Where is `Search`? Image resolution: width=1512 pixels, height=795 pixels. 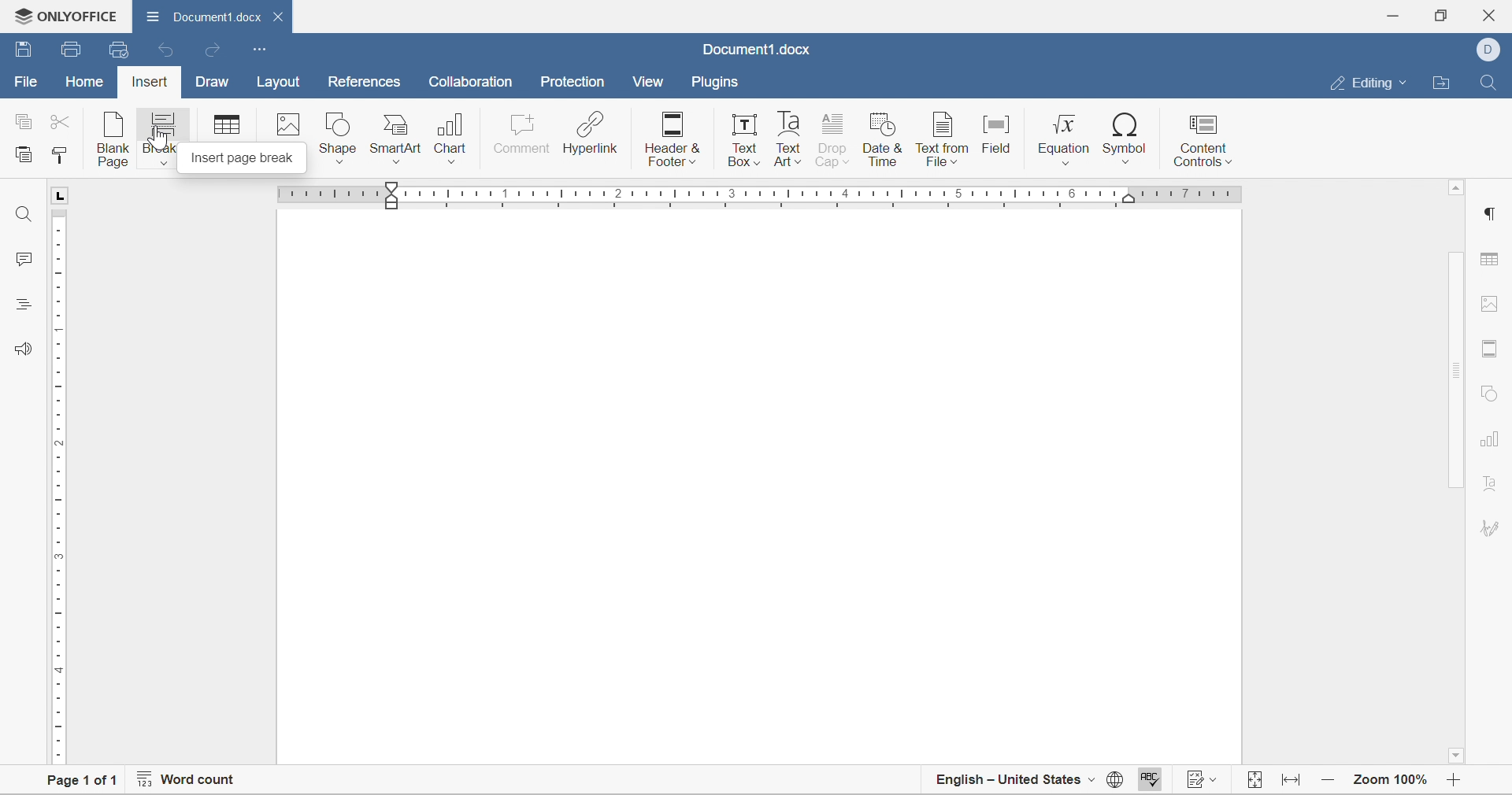
Search is located at coordinates (1491, 80).